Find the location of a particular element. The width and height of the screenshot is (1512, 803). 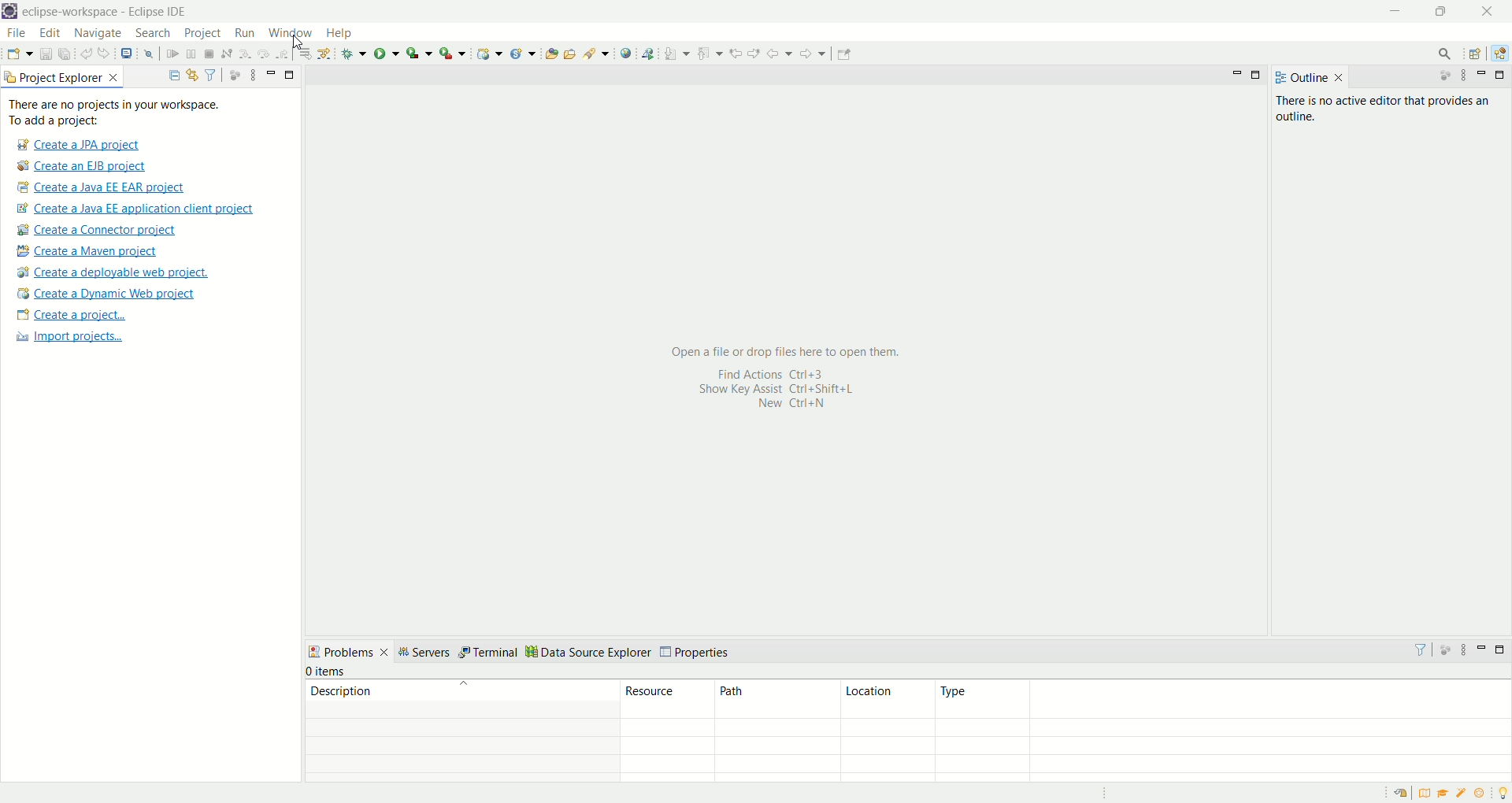

create a EJB project is located at coordinates (83, 167).